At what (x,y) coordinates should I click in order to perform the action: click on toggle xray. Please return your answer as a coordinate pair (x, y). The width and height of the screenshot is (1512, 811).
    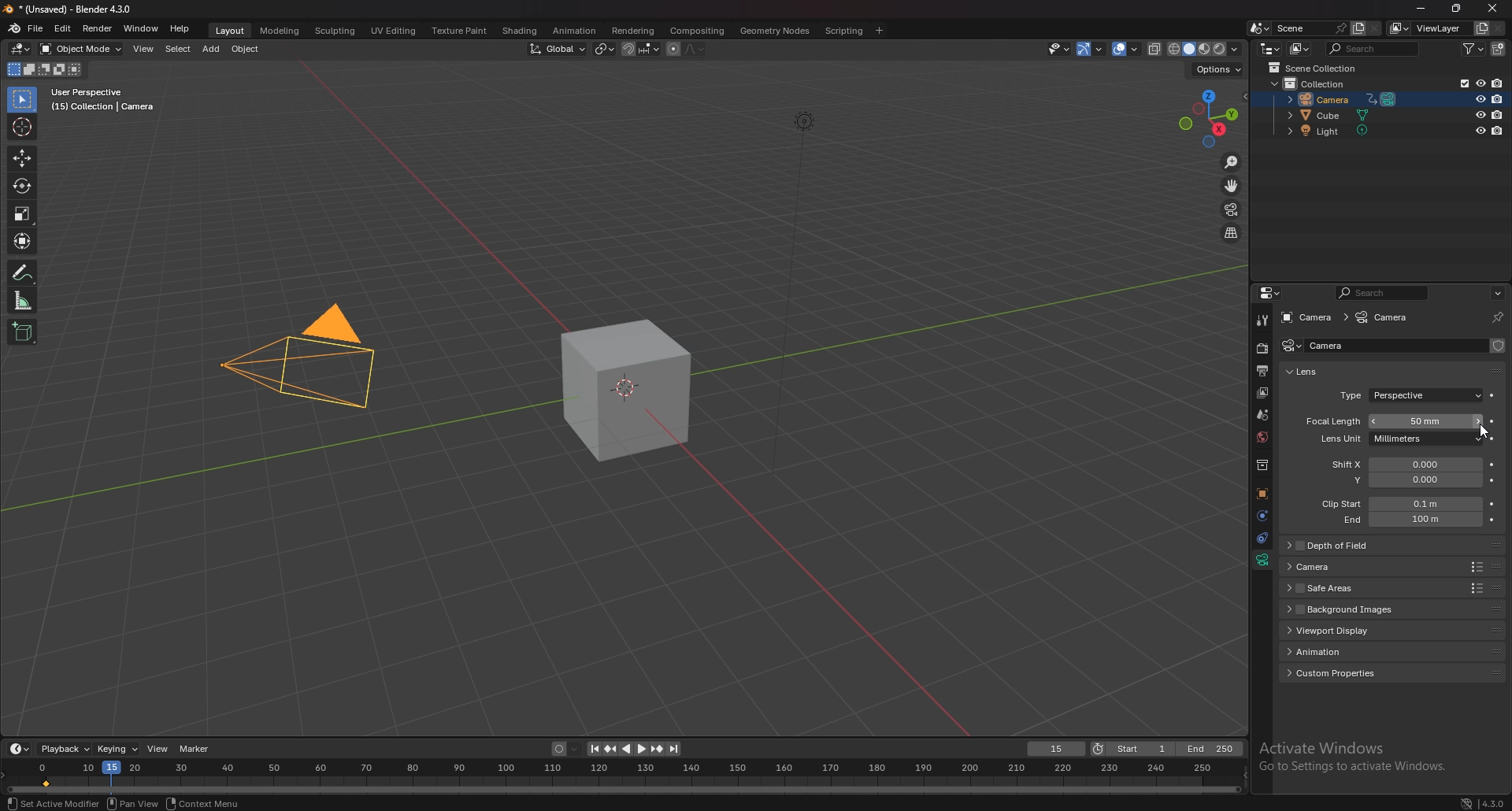
    Looking at the image, I should click on (1155, 49).